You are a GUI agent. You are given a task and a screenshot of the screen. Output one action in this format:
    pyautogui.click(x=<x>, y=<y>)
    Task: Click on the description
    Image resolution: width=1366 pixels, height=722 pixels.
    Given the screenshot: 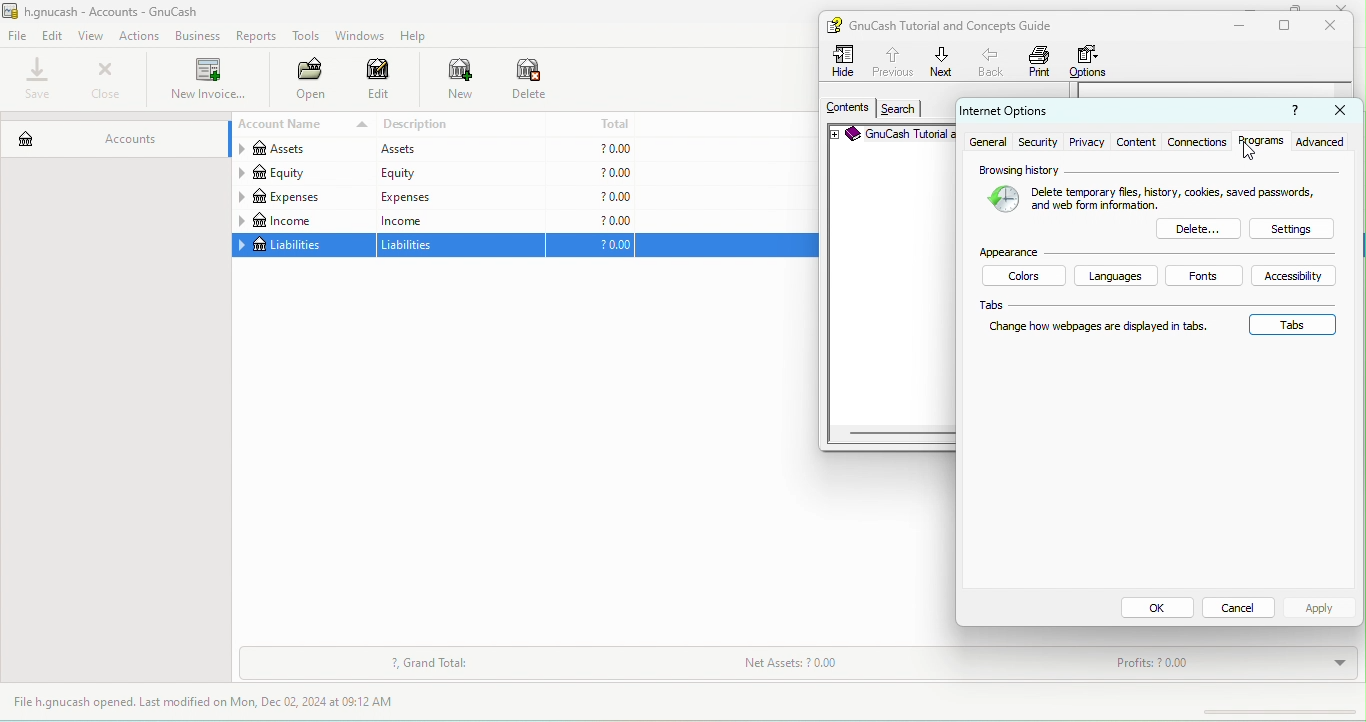 What is the action you would take?
    pyautogui.click(x=461, y=125)
    